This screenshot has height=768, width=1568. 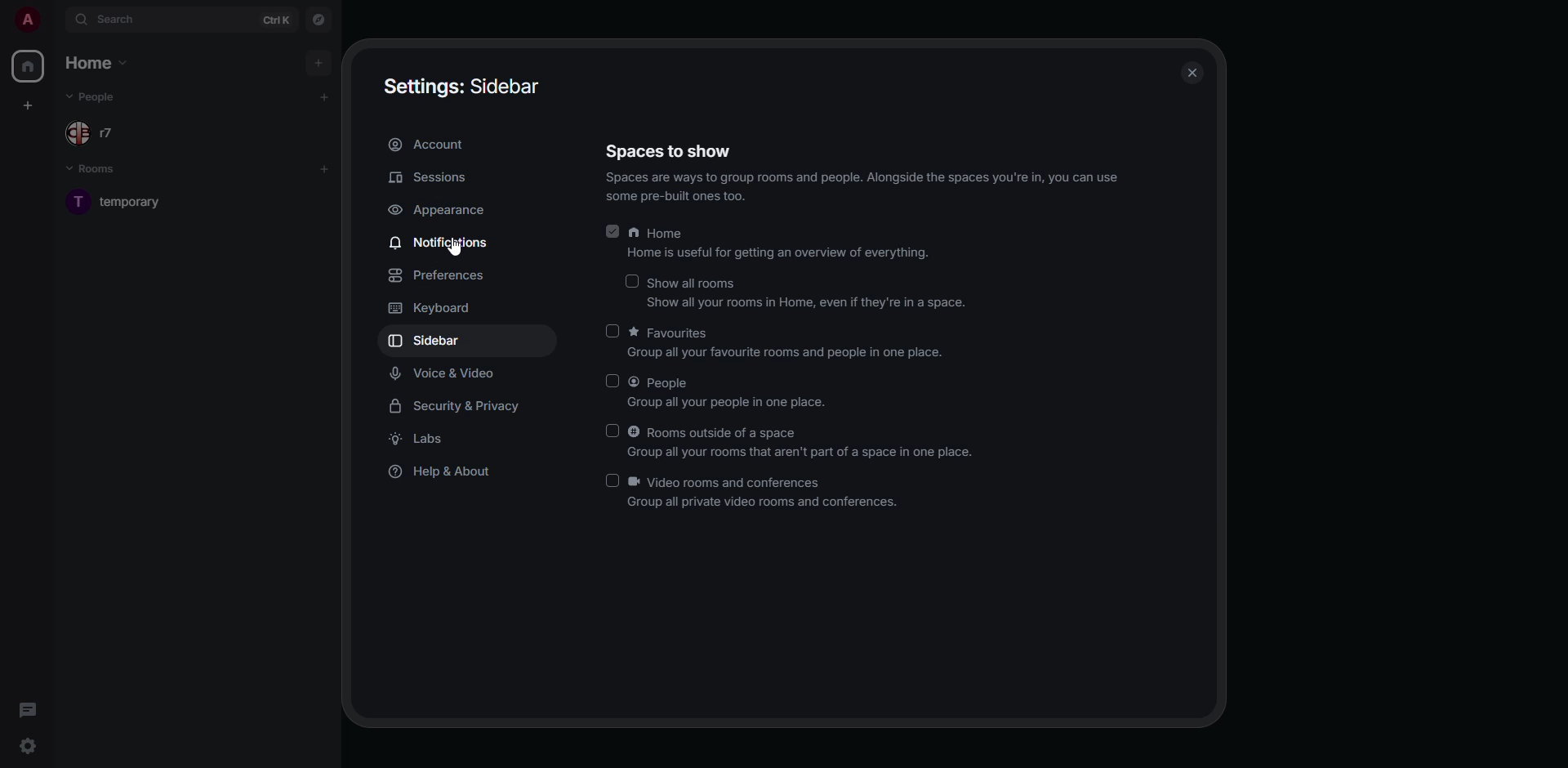 I want to click on voice & video, so click(x=447, y=373).